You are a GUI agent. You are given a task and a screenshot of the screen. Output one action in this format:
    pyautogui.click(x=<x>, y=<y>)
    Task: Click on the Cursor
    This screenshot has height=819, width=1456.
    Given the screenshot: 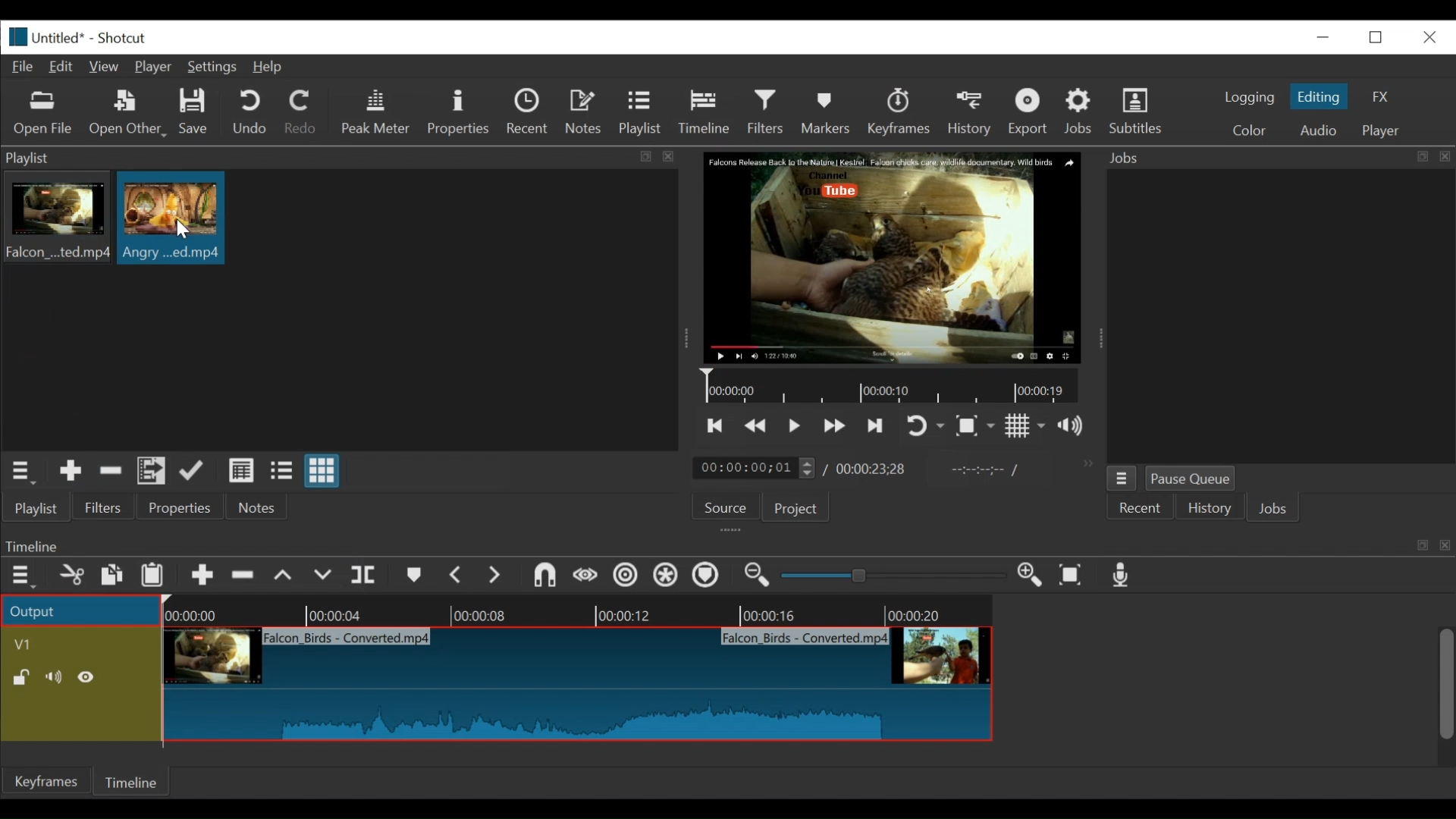 What is the action you would take?
    pyautogui.click(x=181, y=229)
    